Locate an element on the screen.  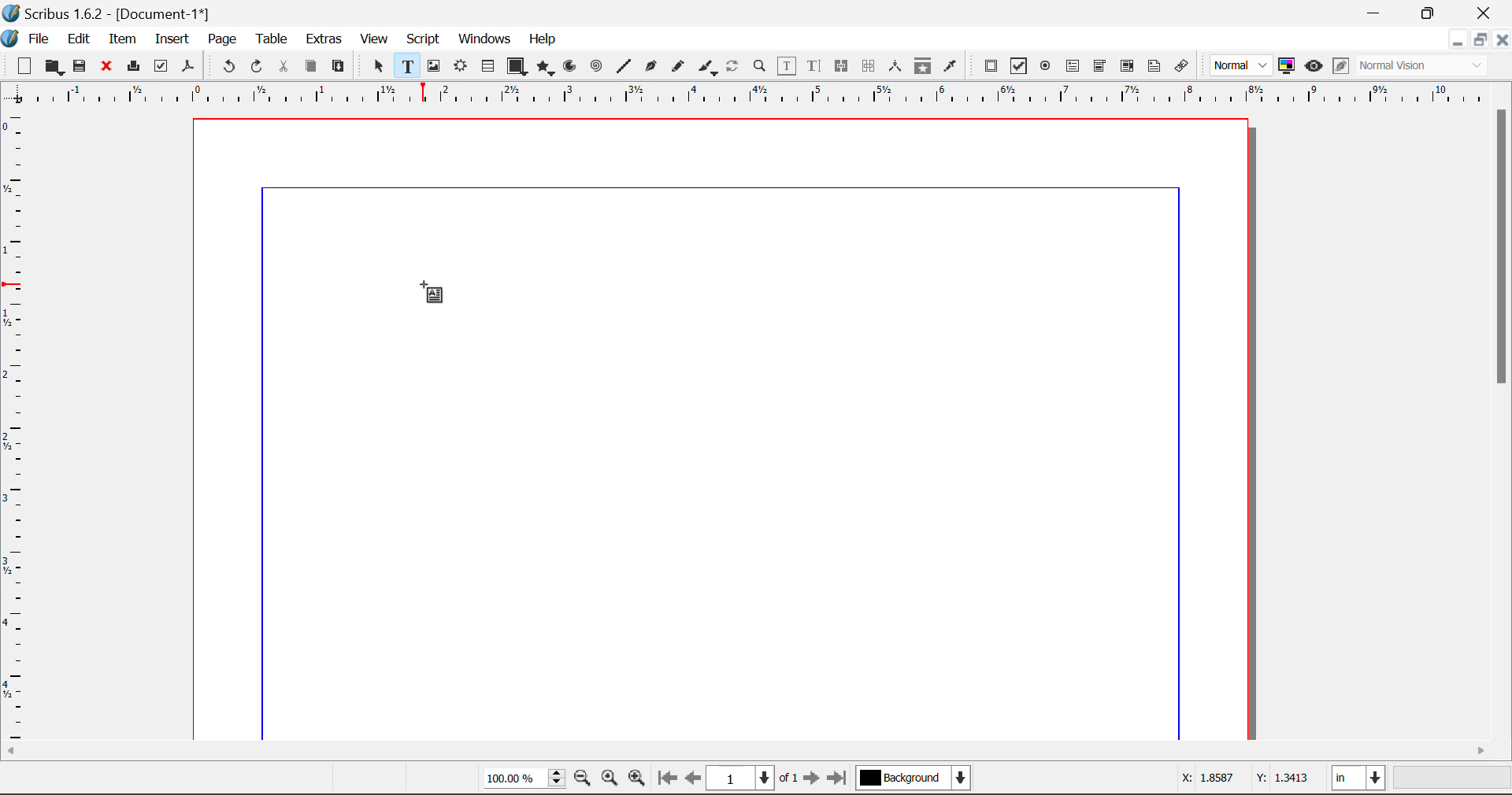
Next Page is located at coordinates (814, 781).